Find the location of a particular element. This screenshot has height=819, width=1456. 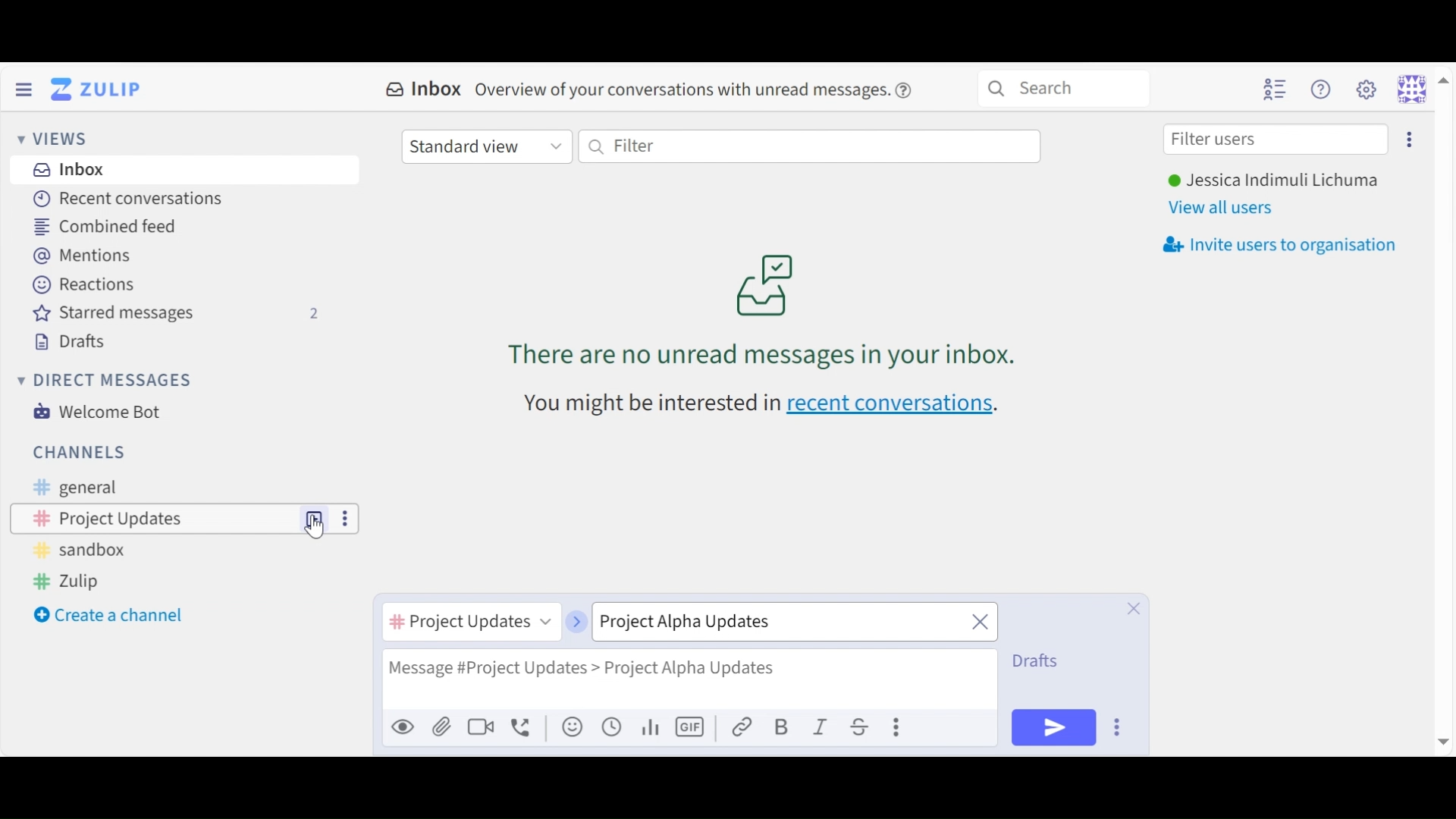

Send is located at coordinates (1053, 727).